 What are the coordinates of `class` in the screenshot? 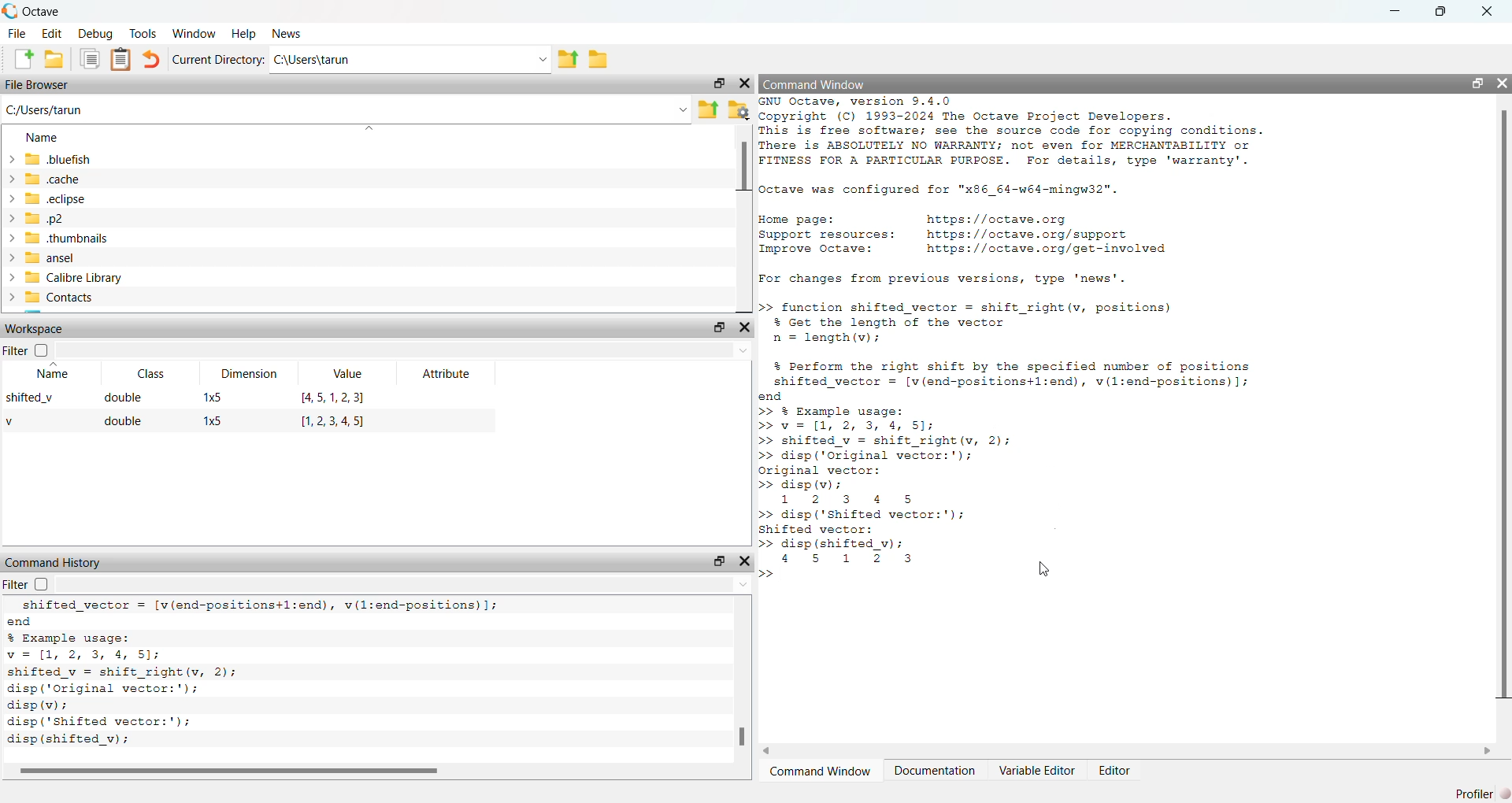 It's located at (148, 372).